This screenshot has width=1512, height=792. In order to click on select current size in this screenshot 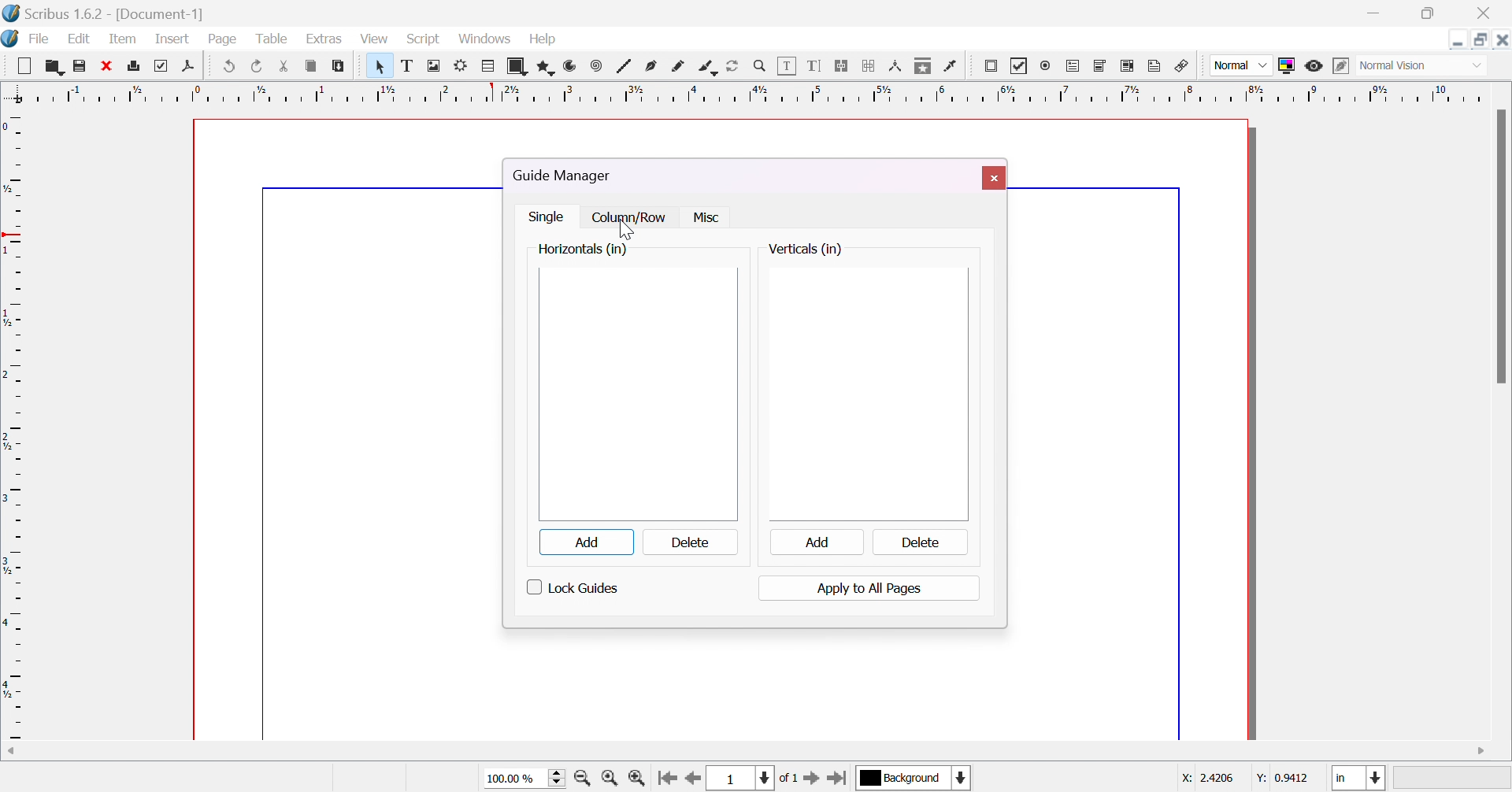, I will do `click(524, 776)`.